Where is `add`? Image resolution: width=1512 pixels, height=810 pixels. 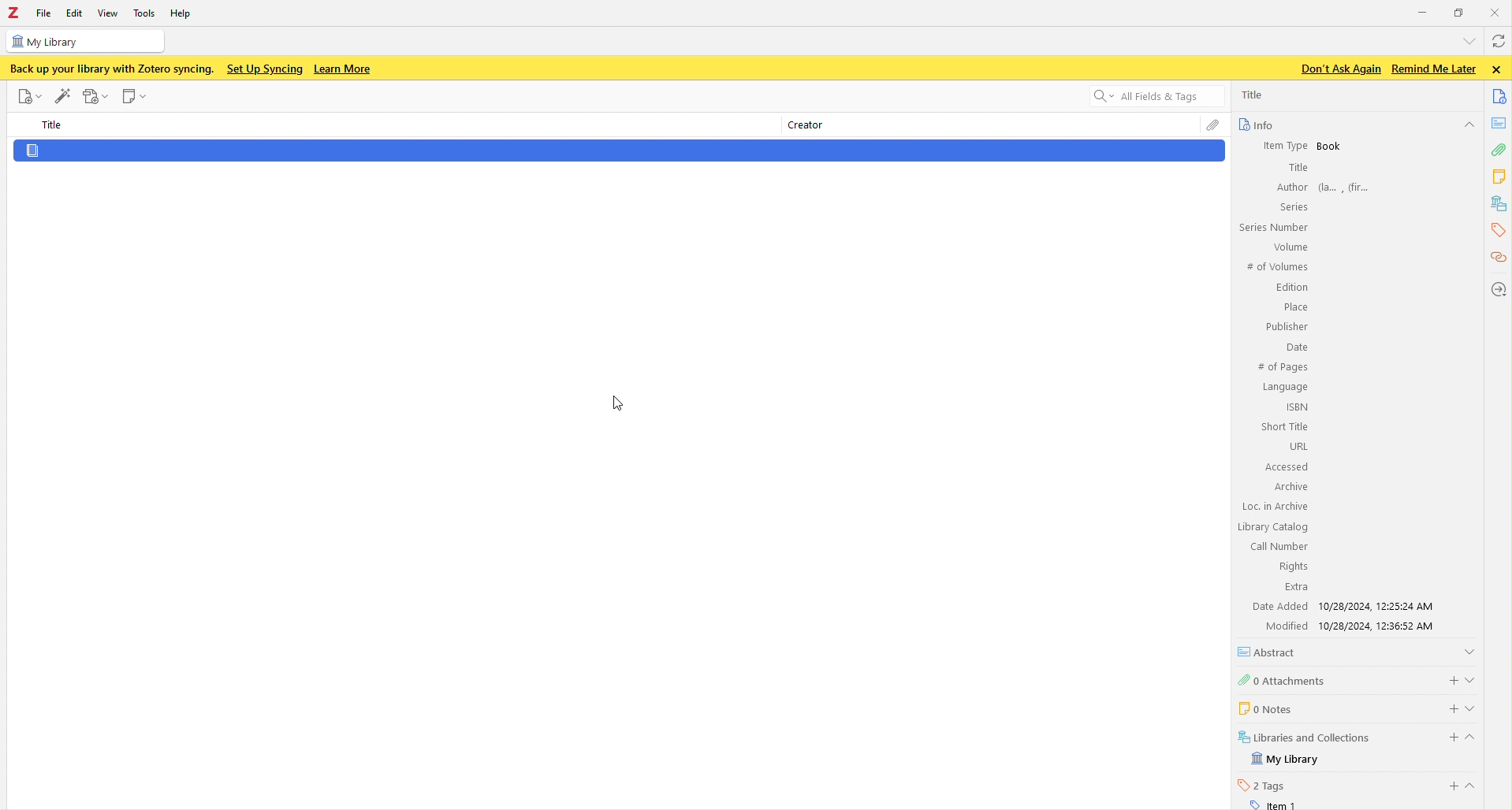
add is located at coordinates (1449, 678).